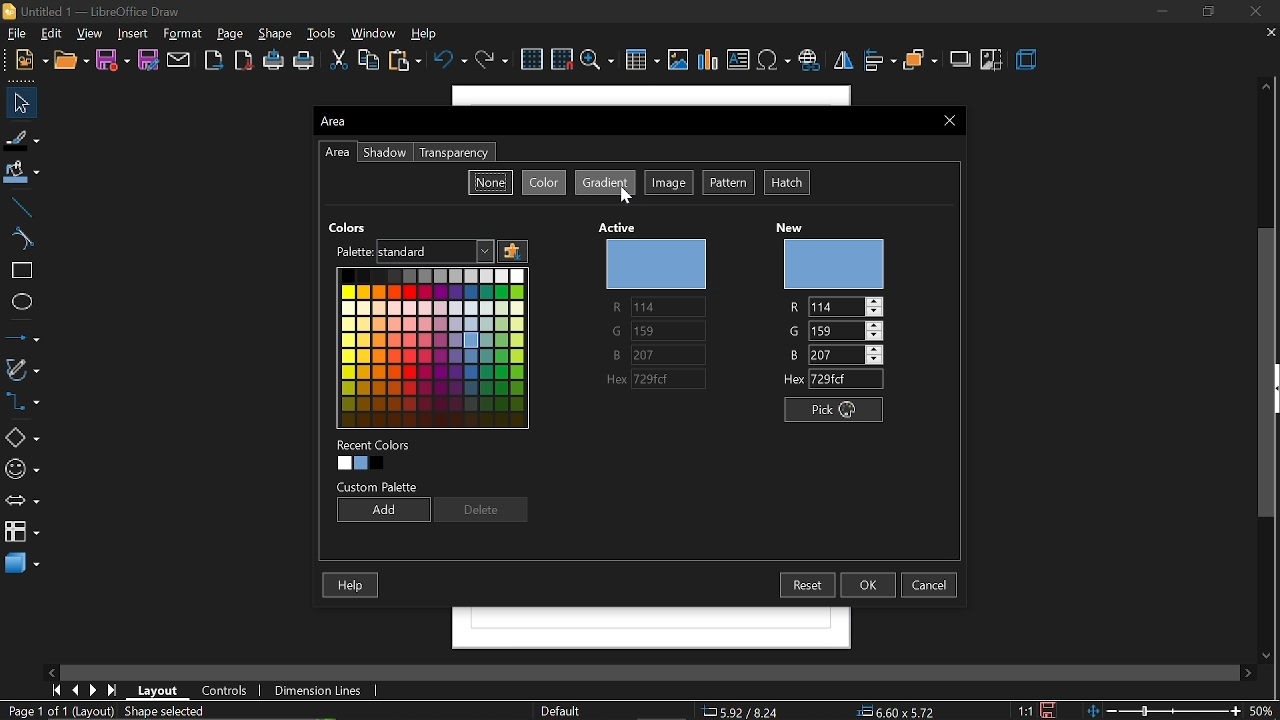  What do you see at coordinates (225, 689) in the screenshot?
I see `controls` at bounding box center [225, 689].